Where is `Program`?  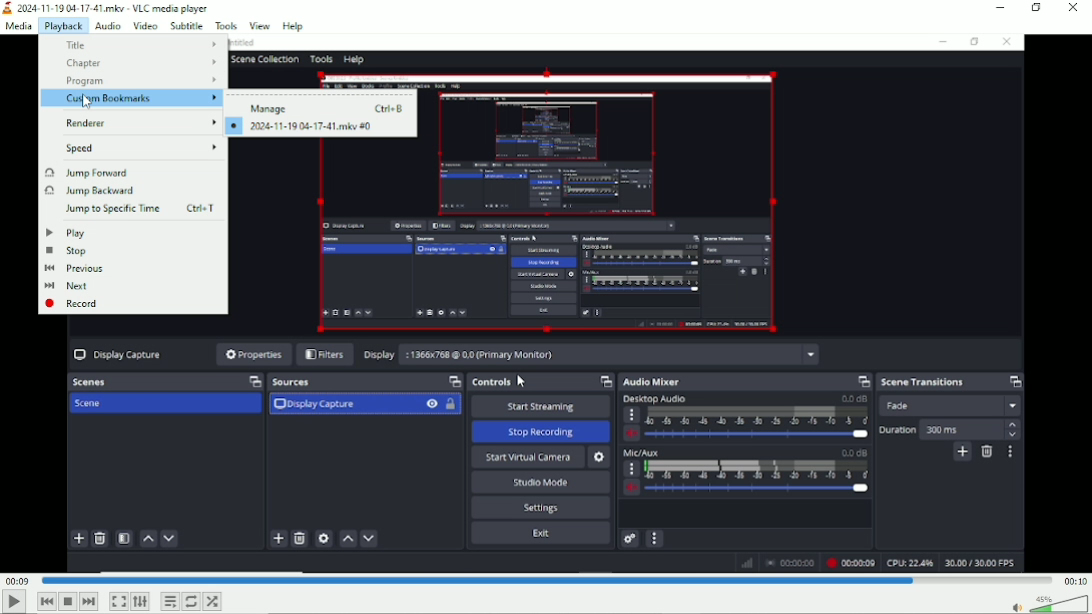 Program is located at coordinates (140, 81).